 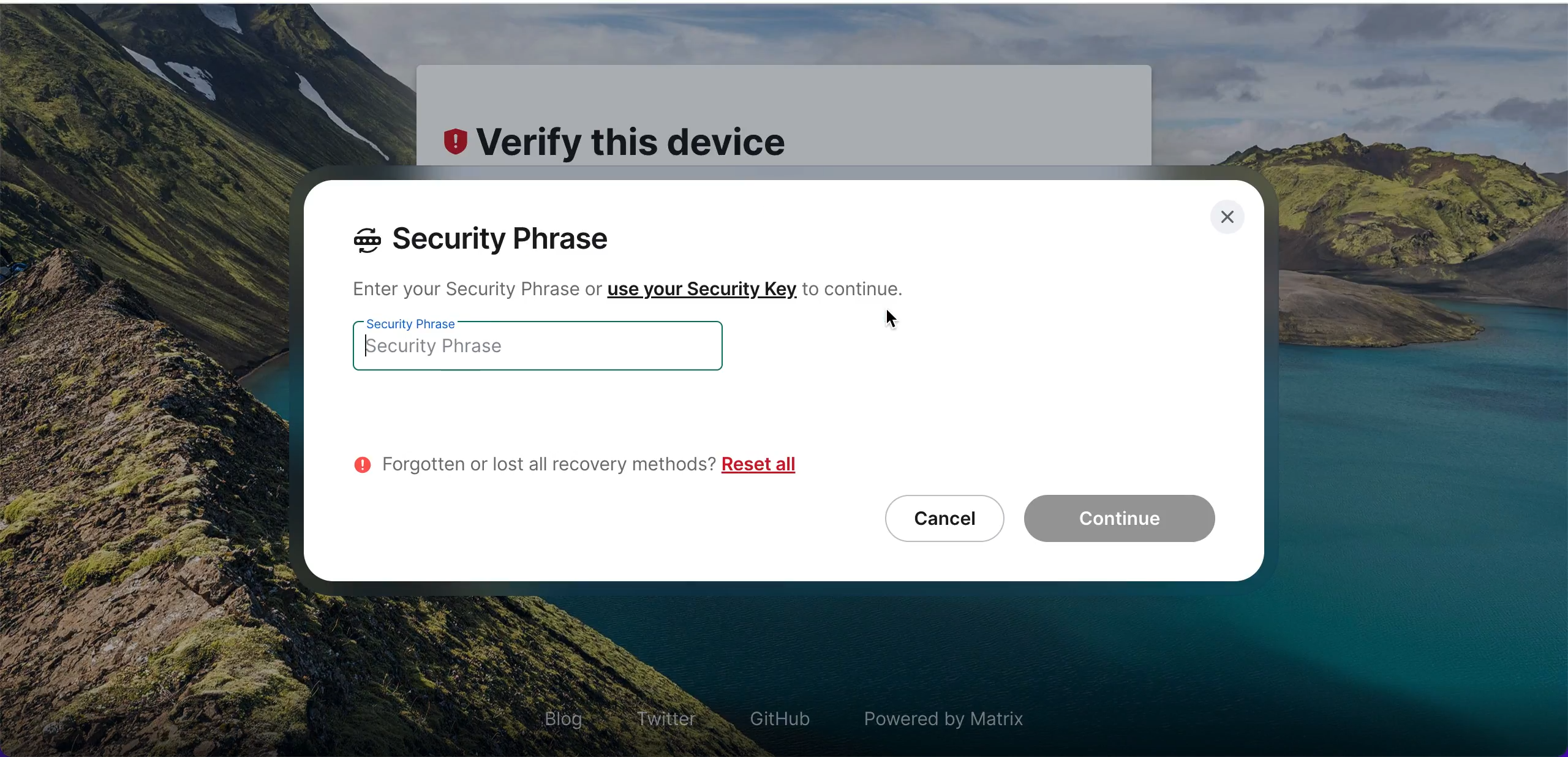 I want to click on security phrase, so click(x=557, y=349).